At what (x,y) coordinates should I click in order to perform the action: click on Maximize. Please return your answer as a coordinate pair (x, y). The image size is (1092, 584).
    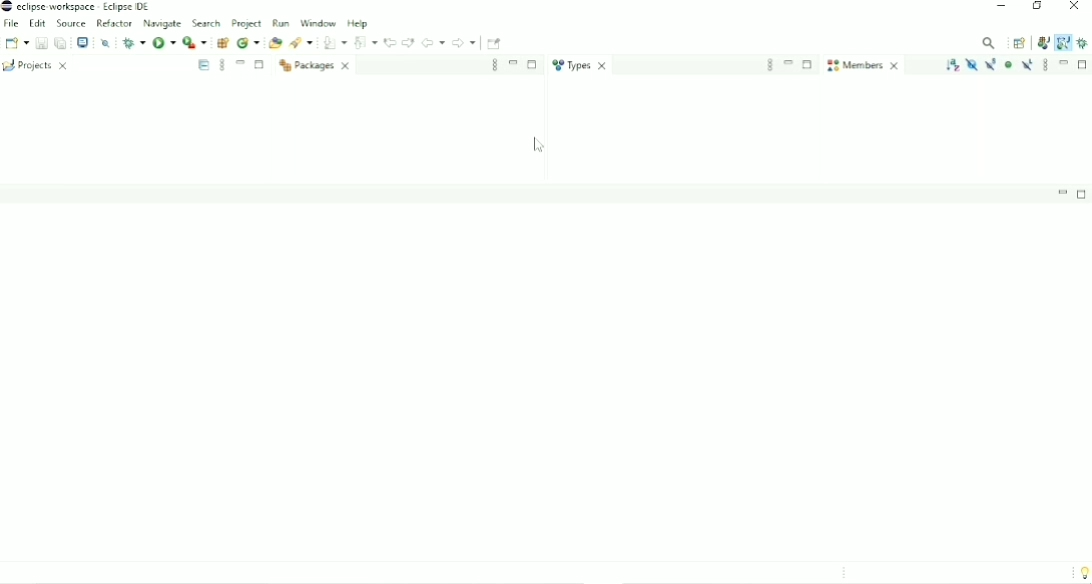
    Looking at the image, I should click on (532, 64).